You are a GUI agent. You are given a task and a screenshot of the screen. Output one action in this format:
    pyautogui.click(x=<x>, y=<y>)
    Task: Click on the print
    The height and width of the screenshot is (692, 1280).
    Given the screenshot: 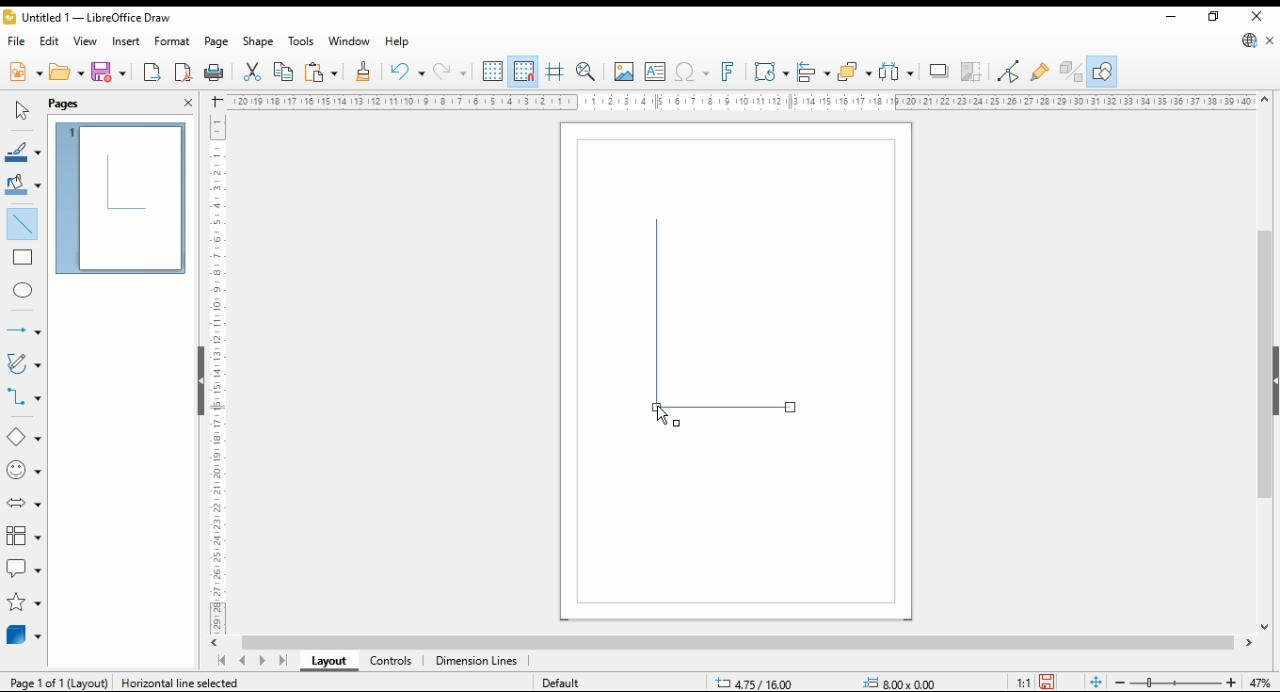 What is the action you would take?
    pyautogui.click(x=214, y=73)
    